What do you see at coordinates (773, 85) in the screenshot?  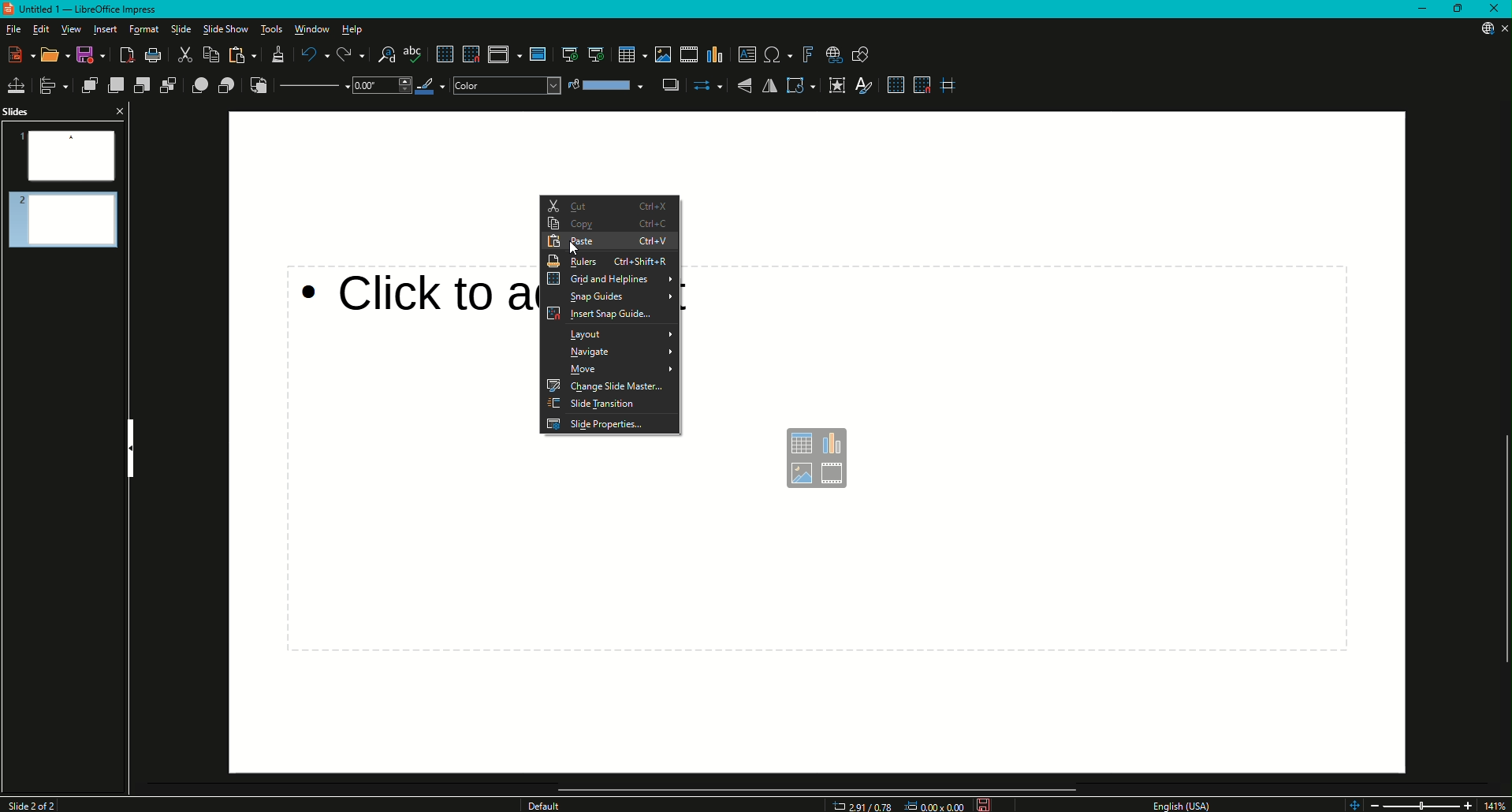 I see `Horizontally` at bounding box center [773, 85].